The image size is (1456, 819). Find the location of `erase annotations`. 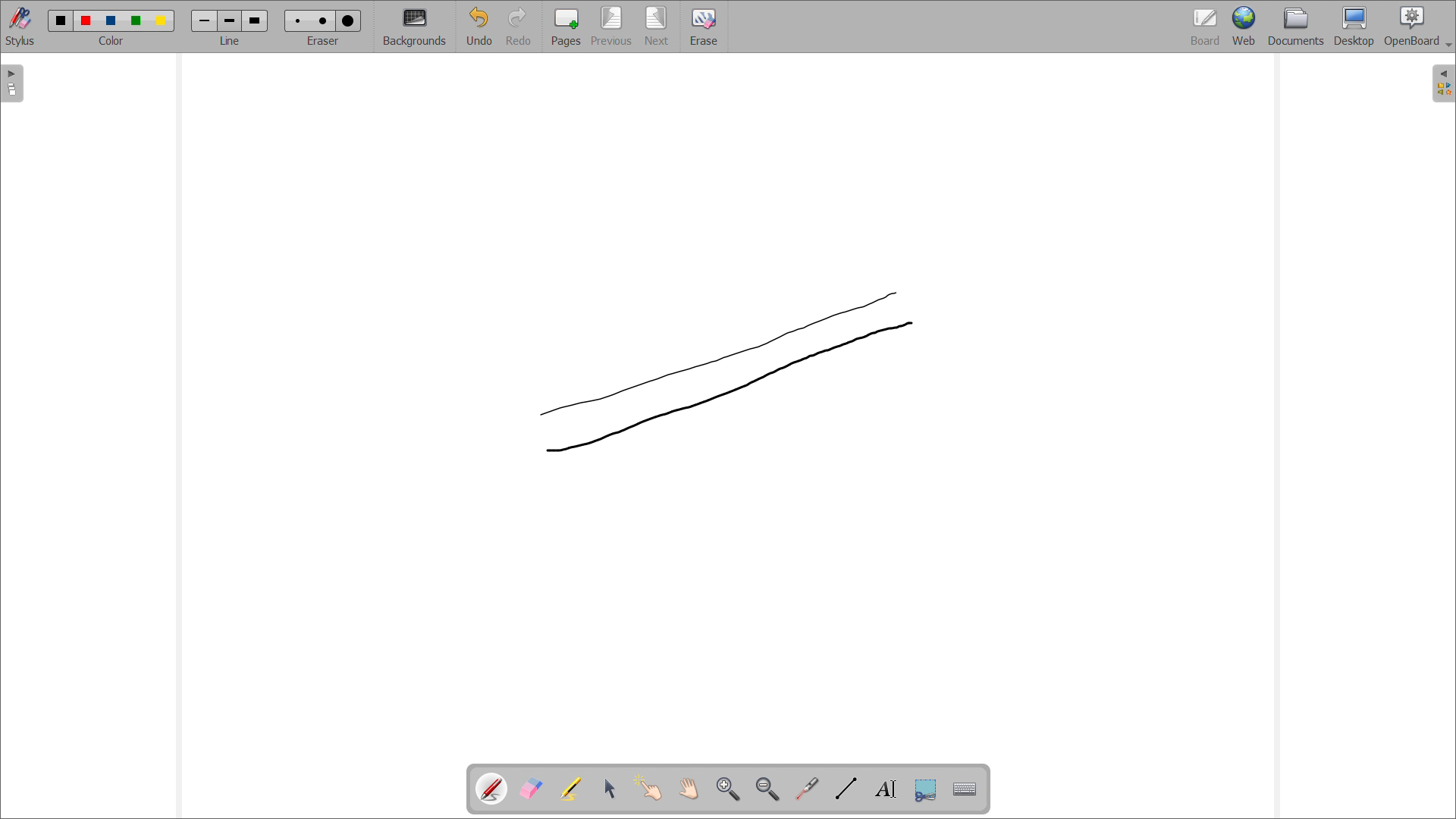

erase annotations is located at coordinates (532, 789).